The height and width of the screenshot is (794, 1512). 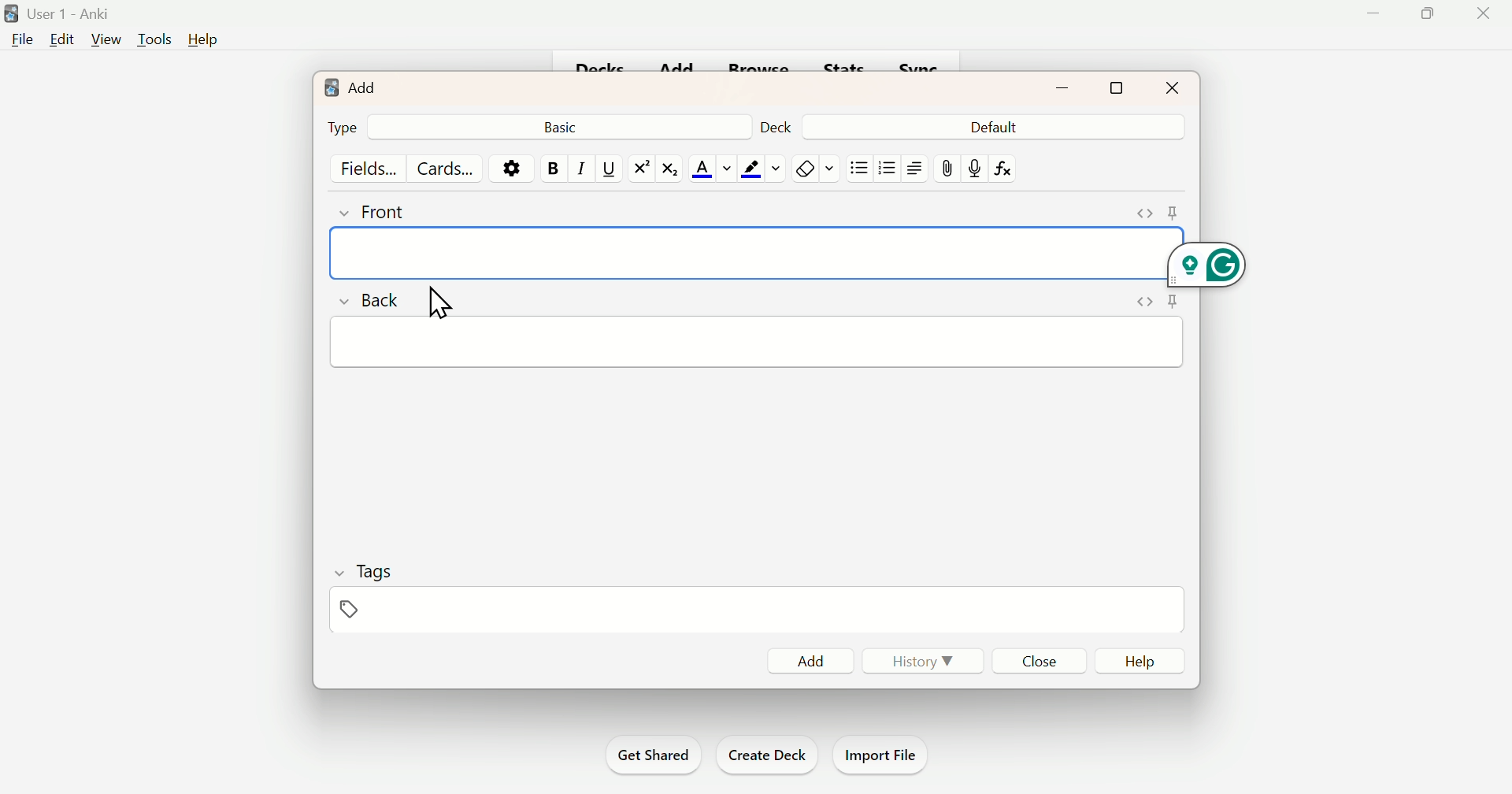 I want to click on Fields..., so click(x=372, y=169).